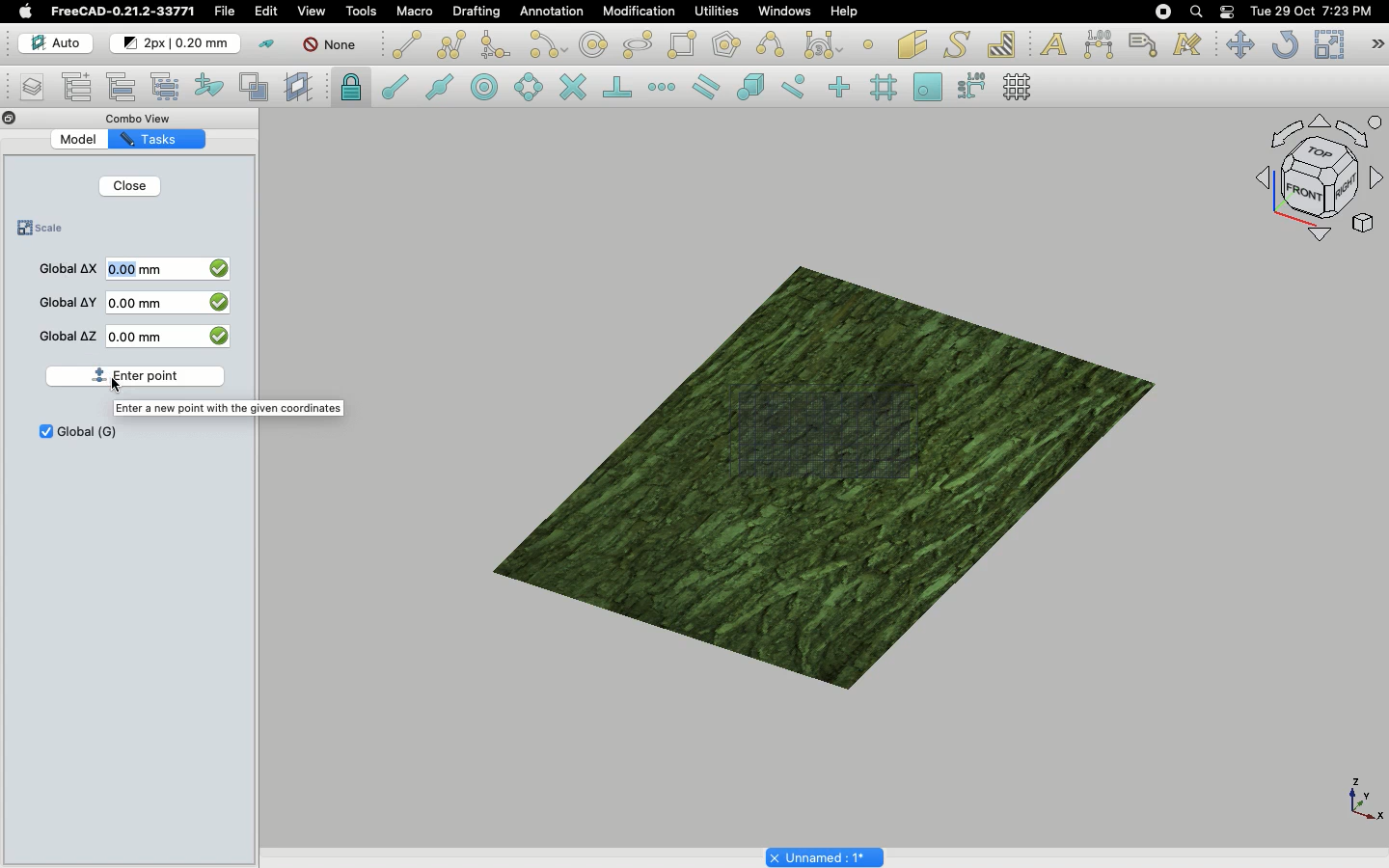 The image size is (1389, 868). I want to click on Snap intersection, so click(572, 85).